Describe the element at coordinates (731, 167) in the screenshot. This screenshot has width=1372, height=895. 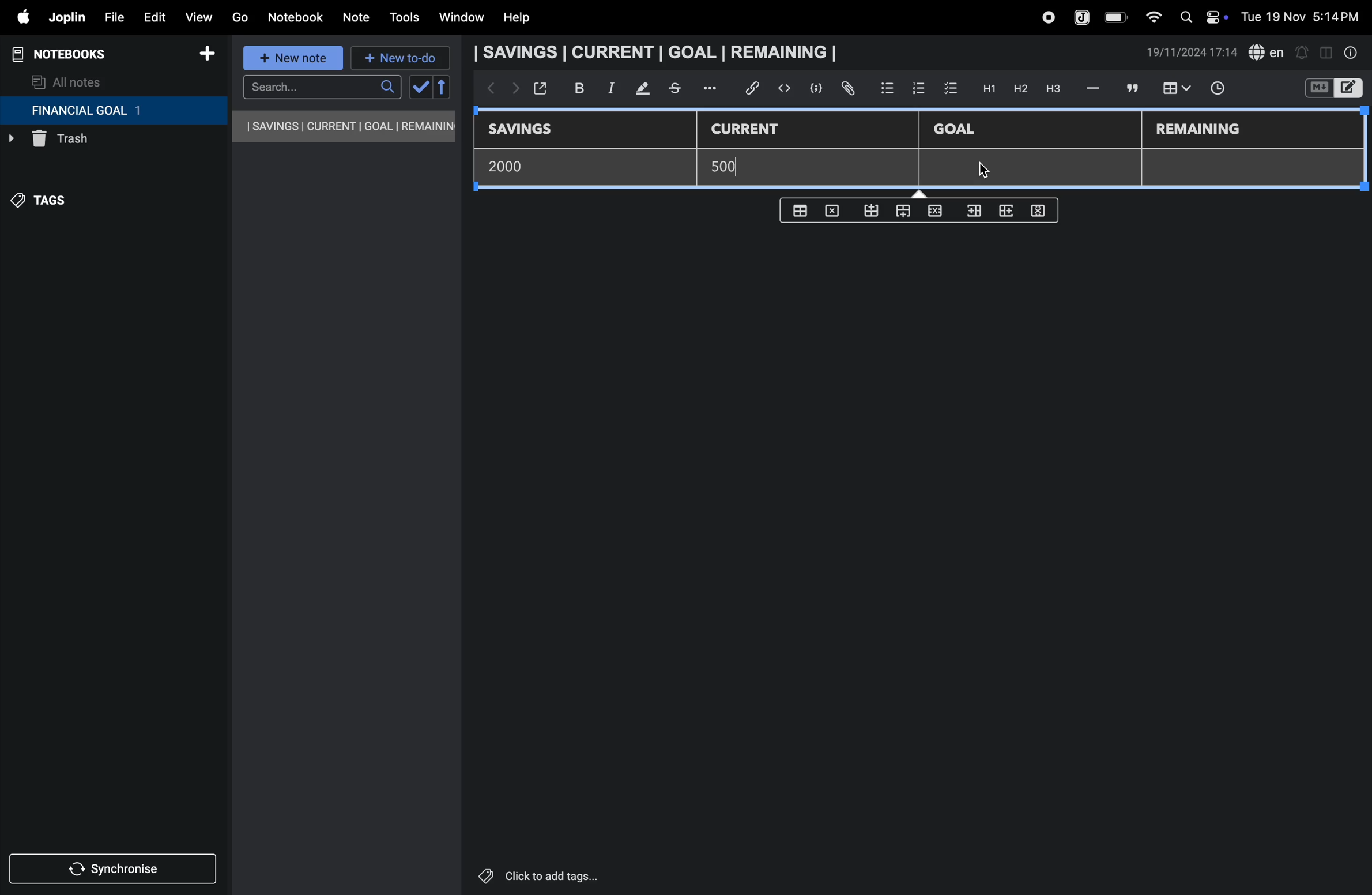
I see `500` at that location.